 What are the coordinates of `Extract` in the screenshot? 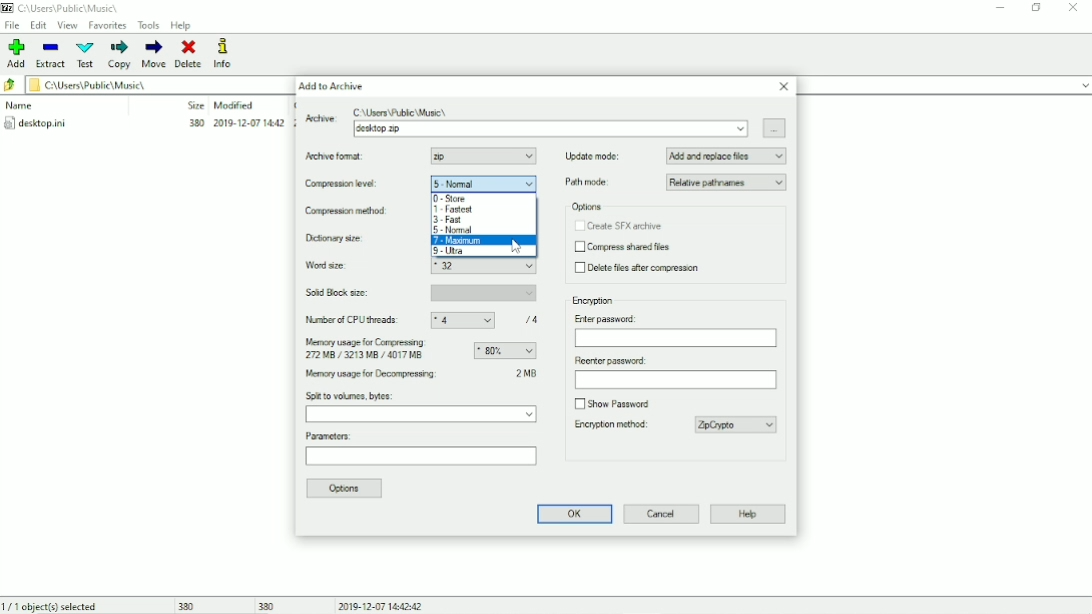 It's located at (51, 56).